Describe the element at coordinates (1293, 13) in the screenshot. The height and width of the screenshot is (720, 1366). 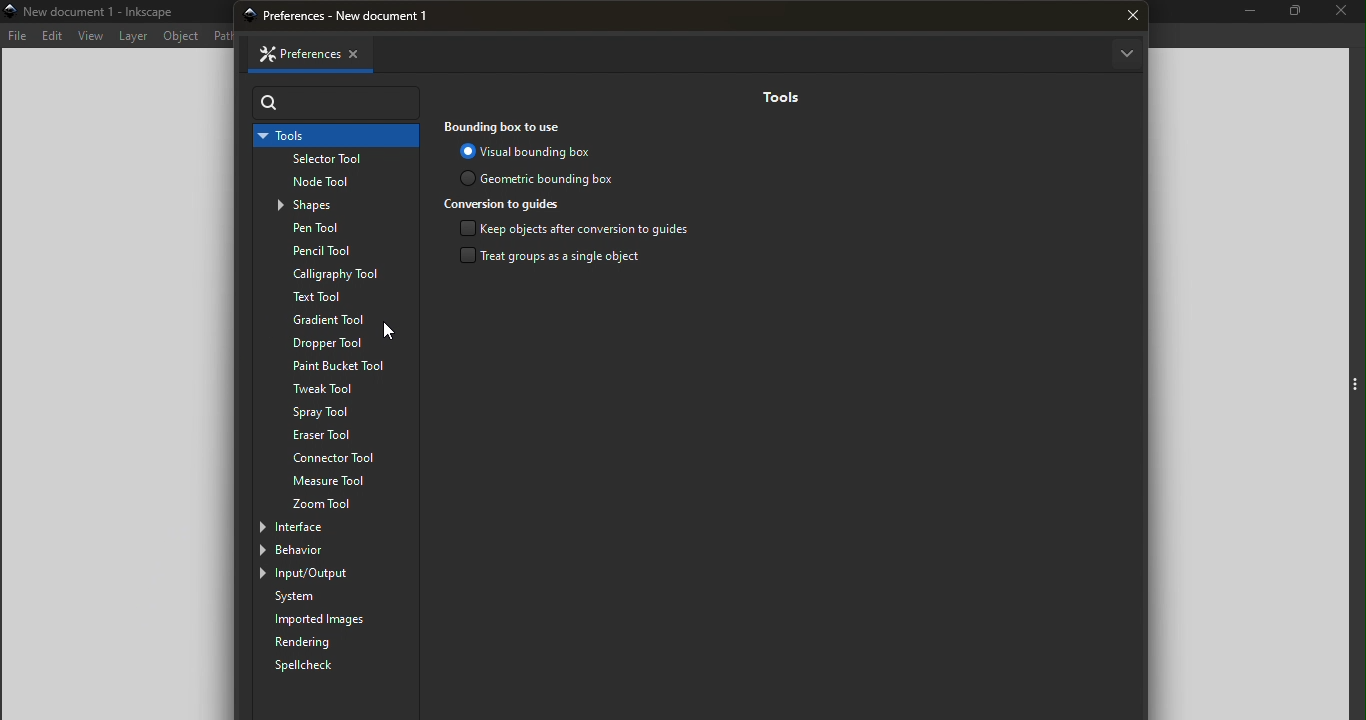
I see `Maximize` at that location.